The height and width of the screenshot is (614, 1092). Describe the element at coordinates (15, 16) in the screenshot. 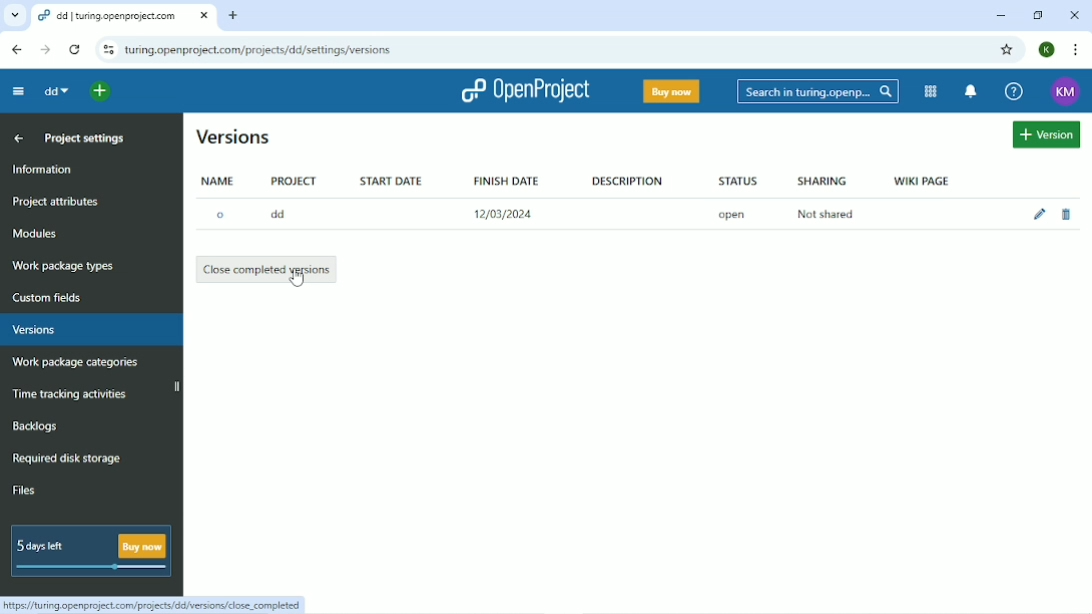

I see `` at that location.